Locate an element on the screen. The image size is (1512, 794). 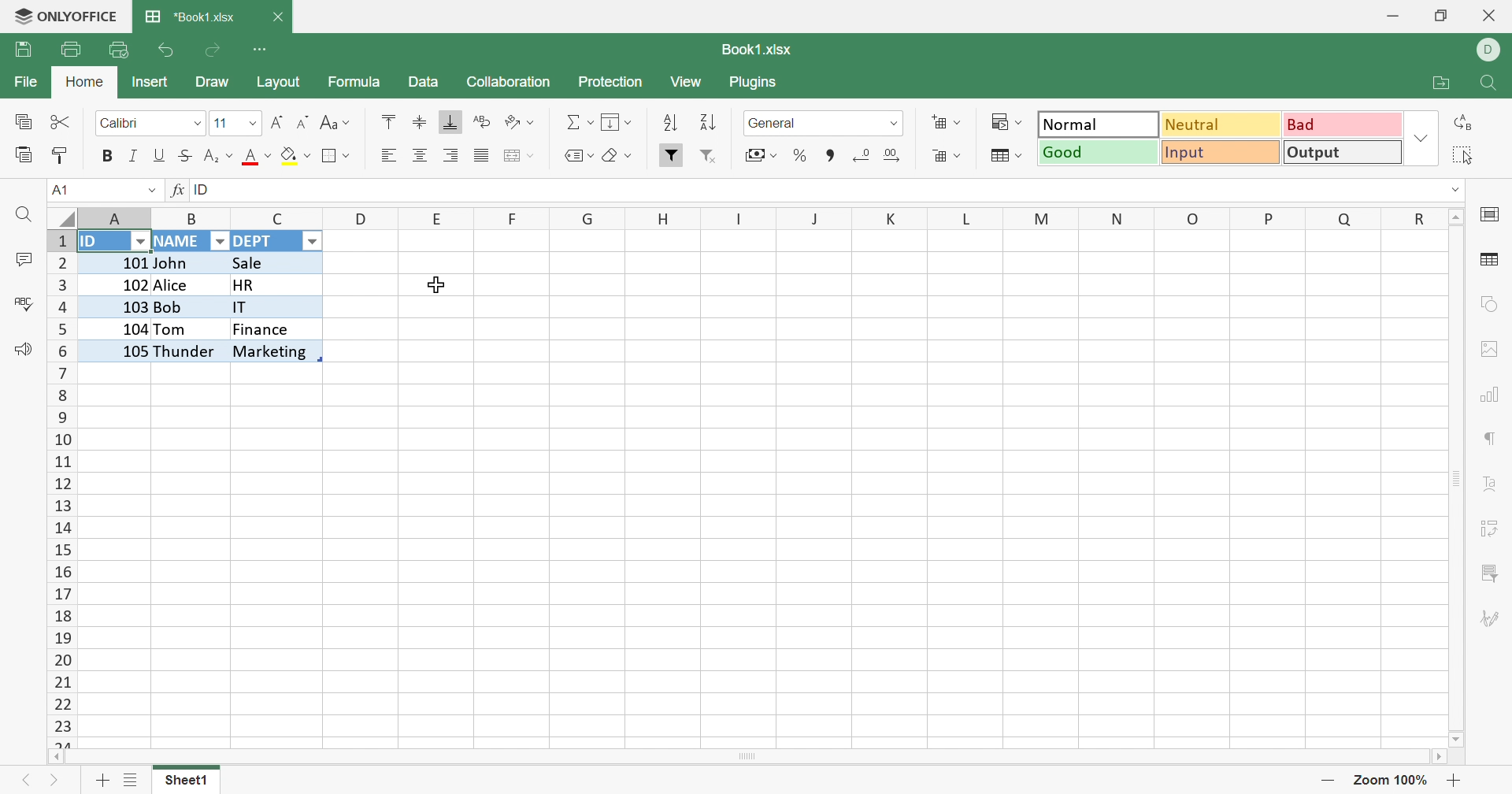
John is located at coordinates (176, 264).